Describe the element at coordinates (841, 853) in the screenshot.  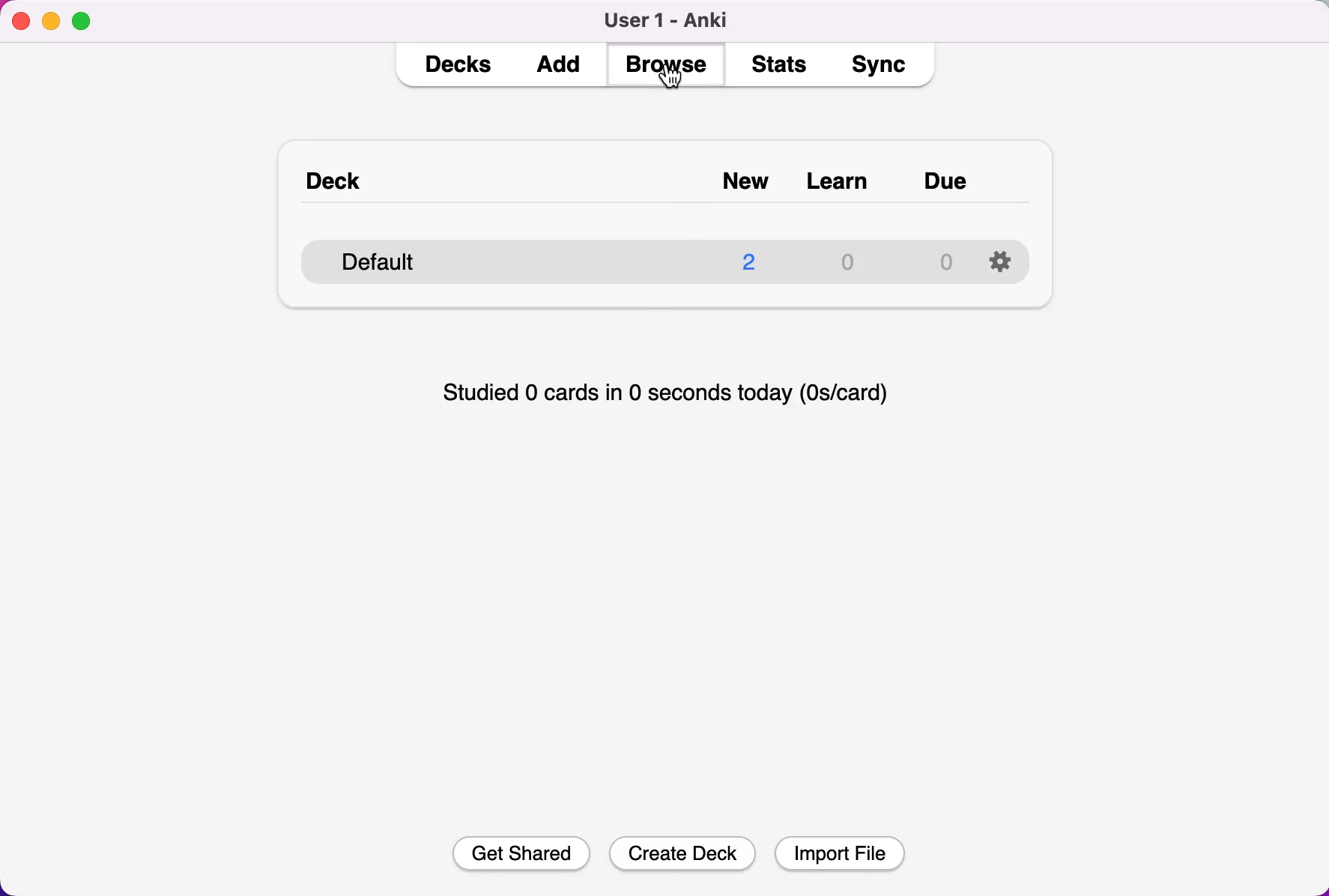
I see `Import File` at that location.